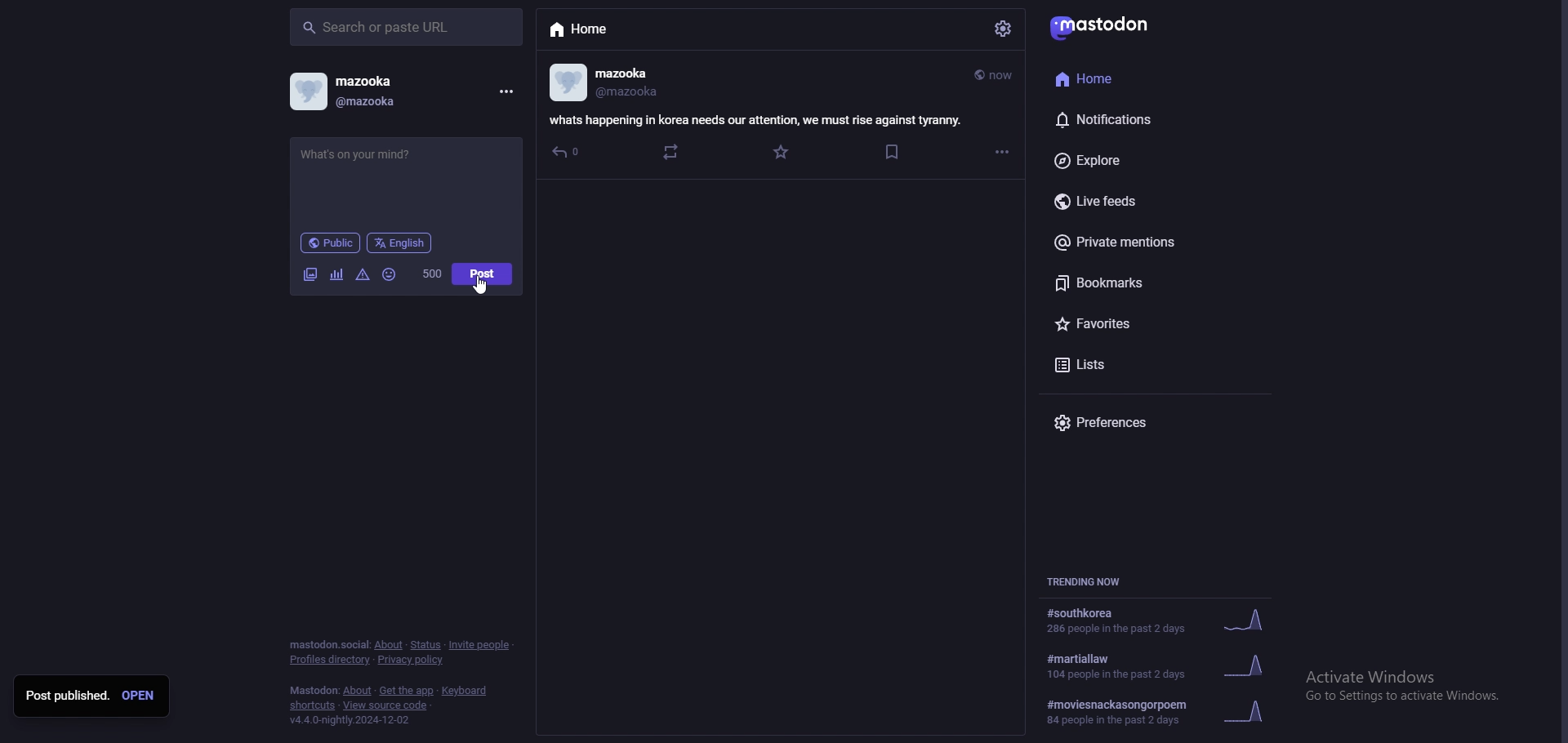  I want to click on profile, so click(605, 83).